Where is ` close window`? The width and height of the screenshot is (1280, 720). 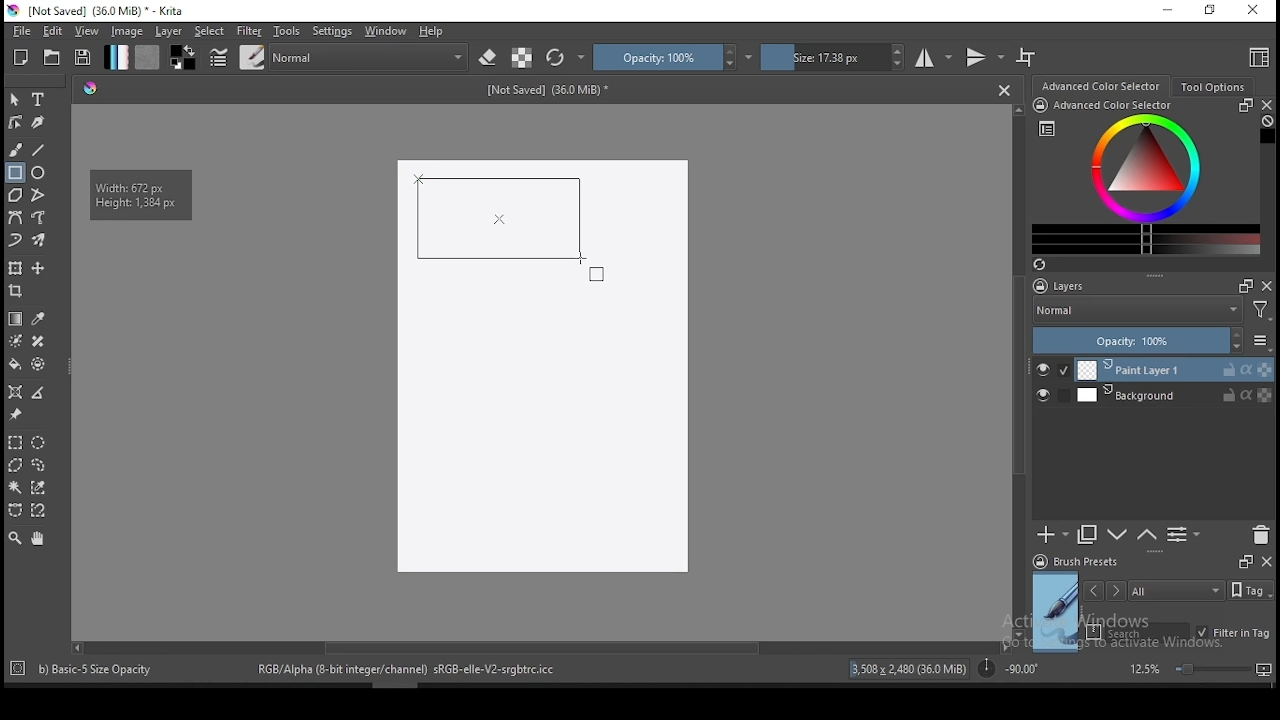  close window is located at coordinates (1255, 11).